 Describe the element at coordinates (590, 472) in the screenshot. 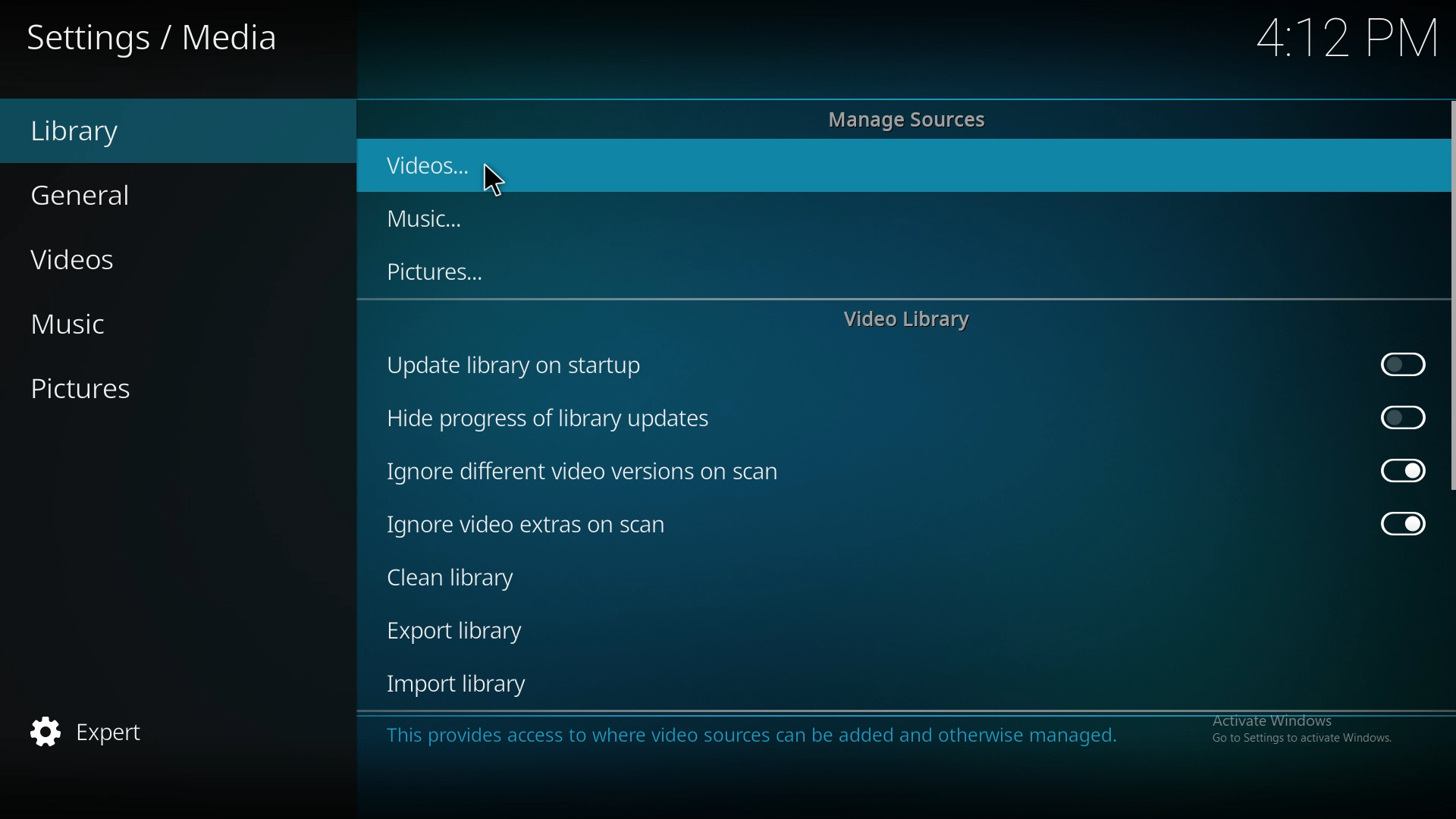

I see `ignore different video versions on scan` at that location.